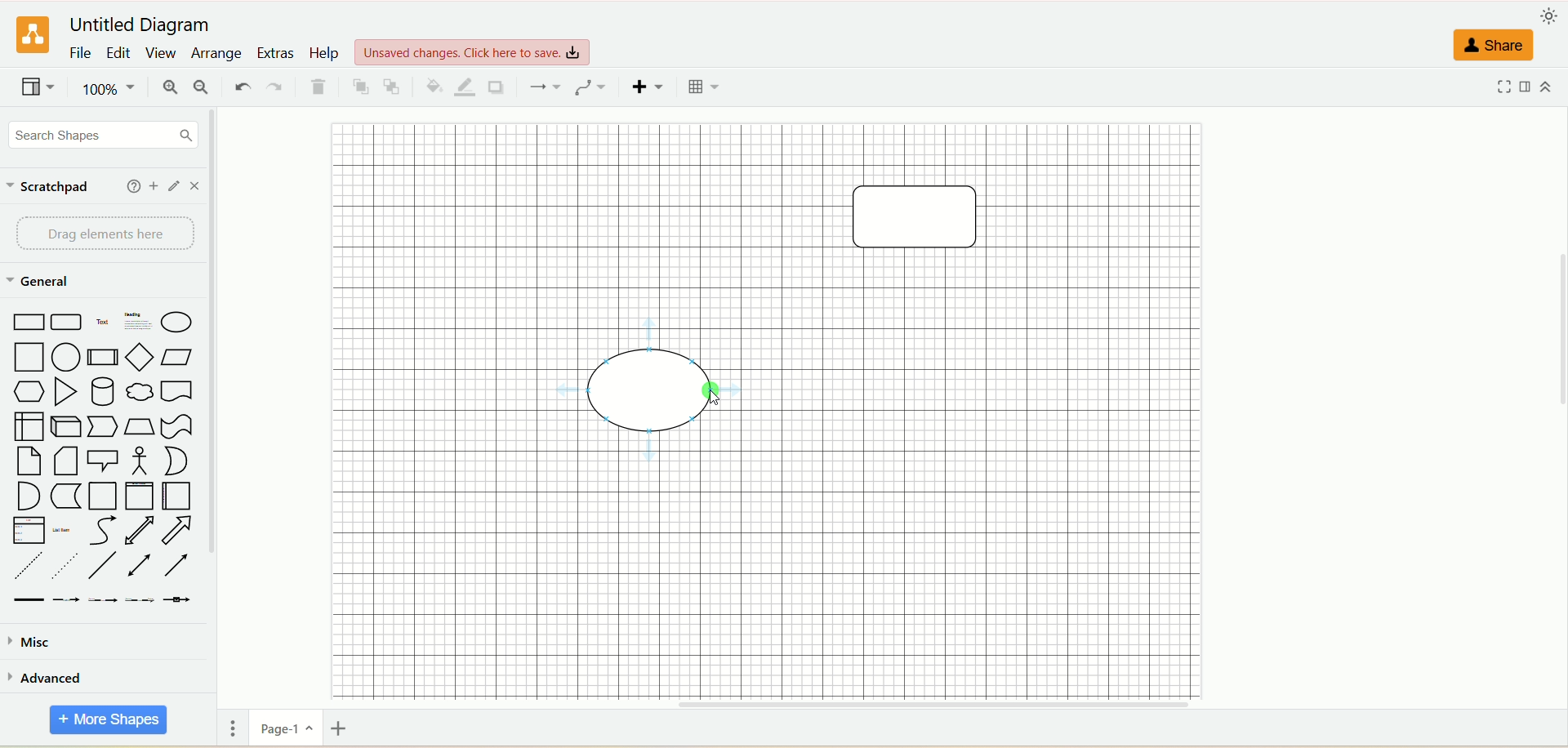 The image size is (1568, 748). I want to click on fullscreen, so click(1502, 87).